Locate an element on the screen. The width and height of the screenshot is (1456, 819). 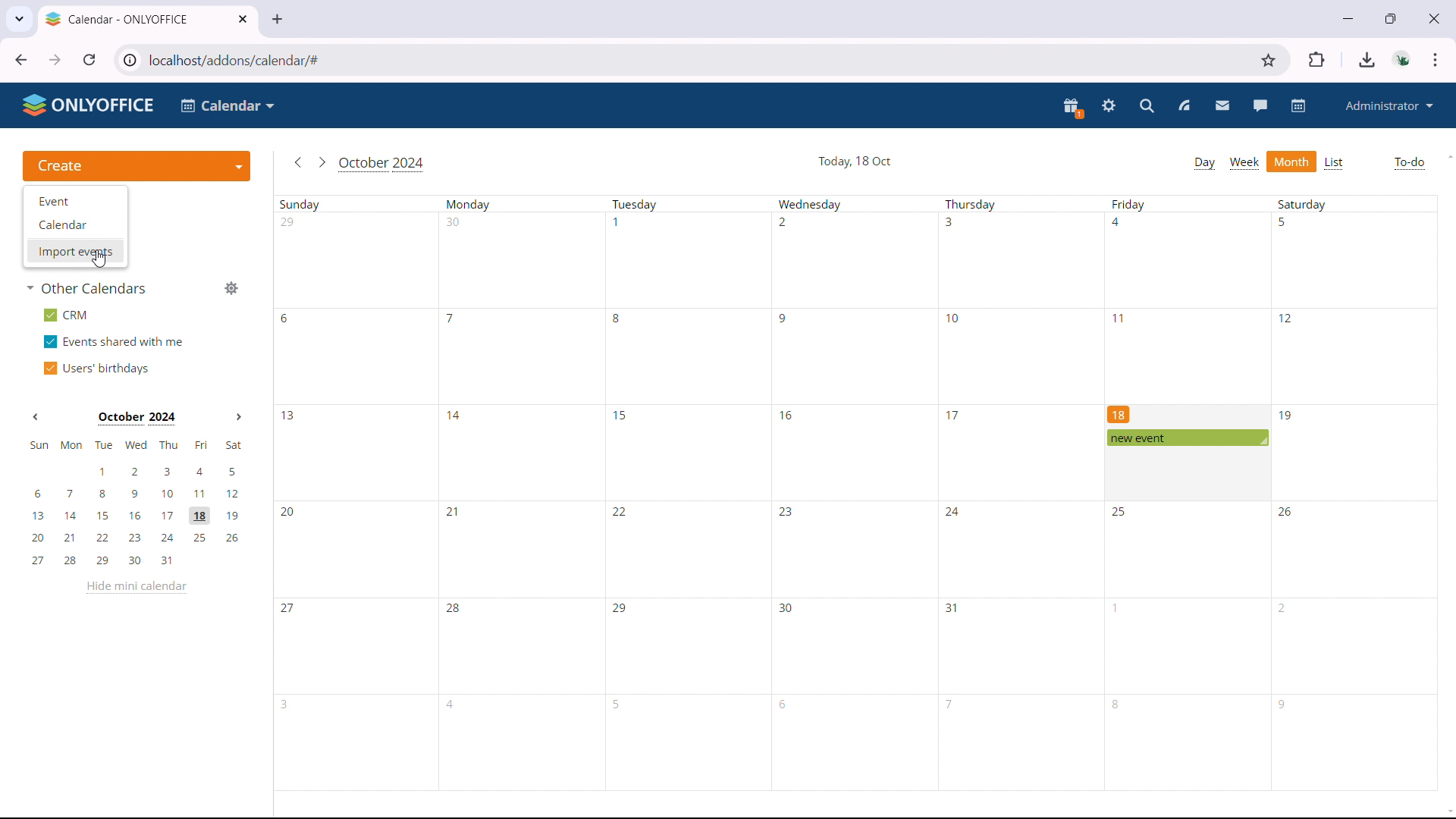
feed is located at coordinates (1183, 106).